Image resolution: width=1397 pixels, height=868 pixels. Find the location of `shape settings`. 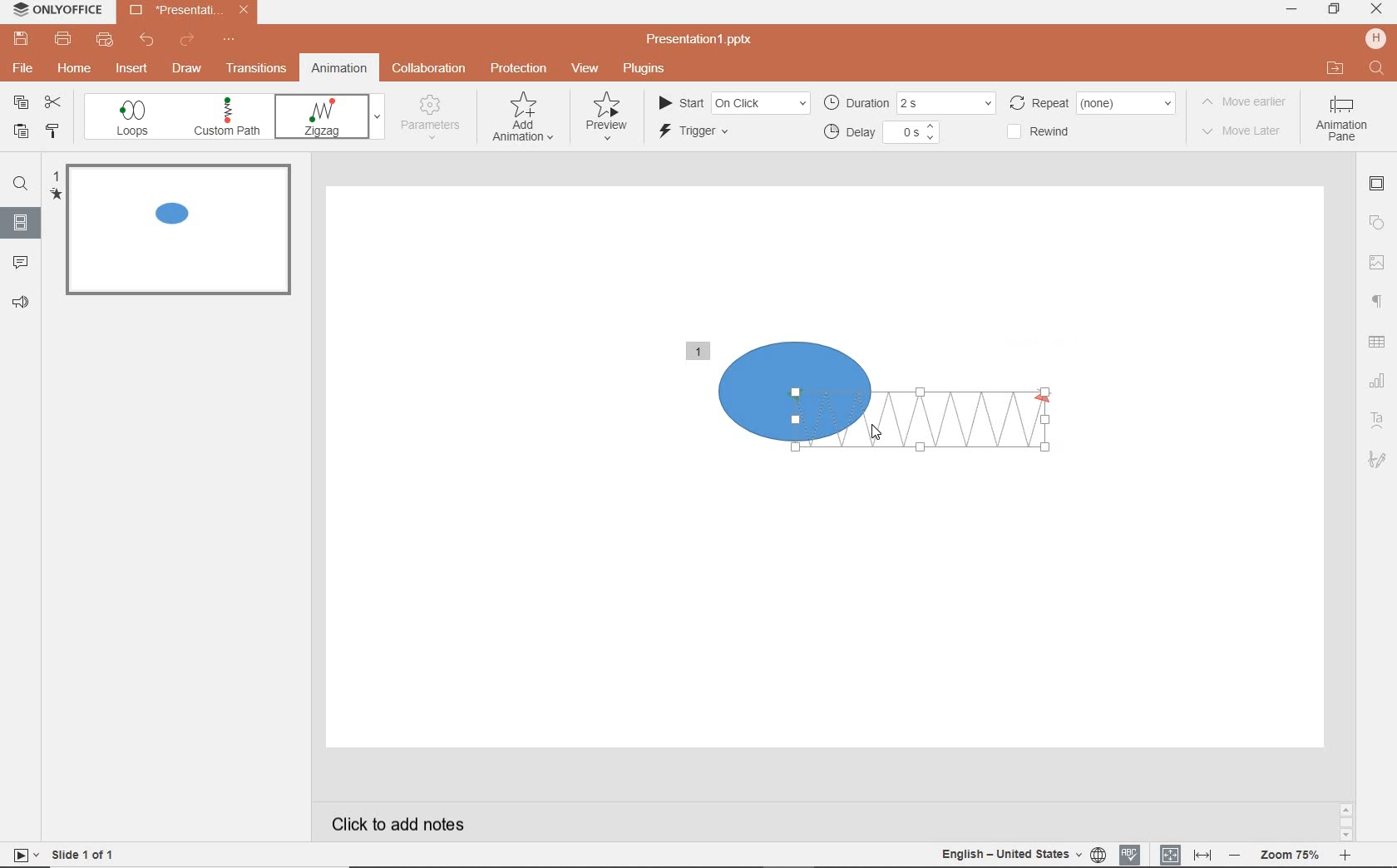

shape settings is located at coordinates (1380, 222).